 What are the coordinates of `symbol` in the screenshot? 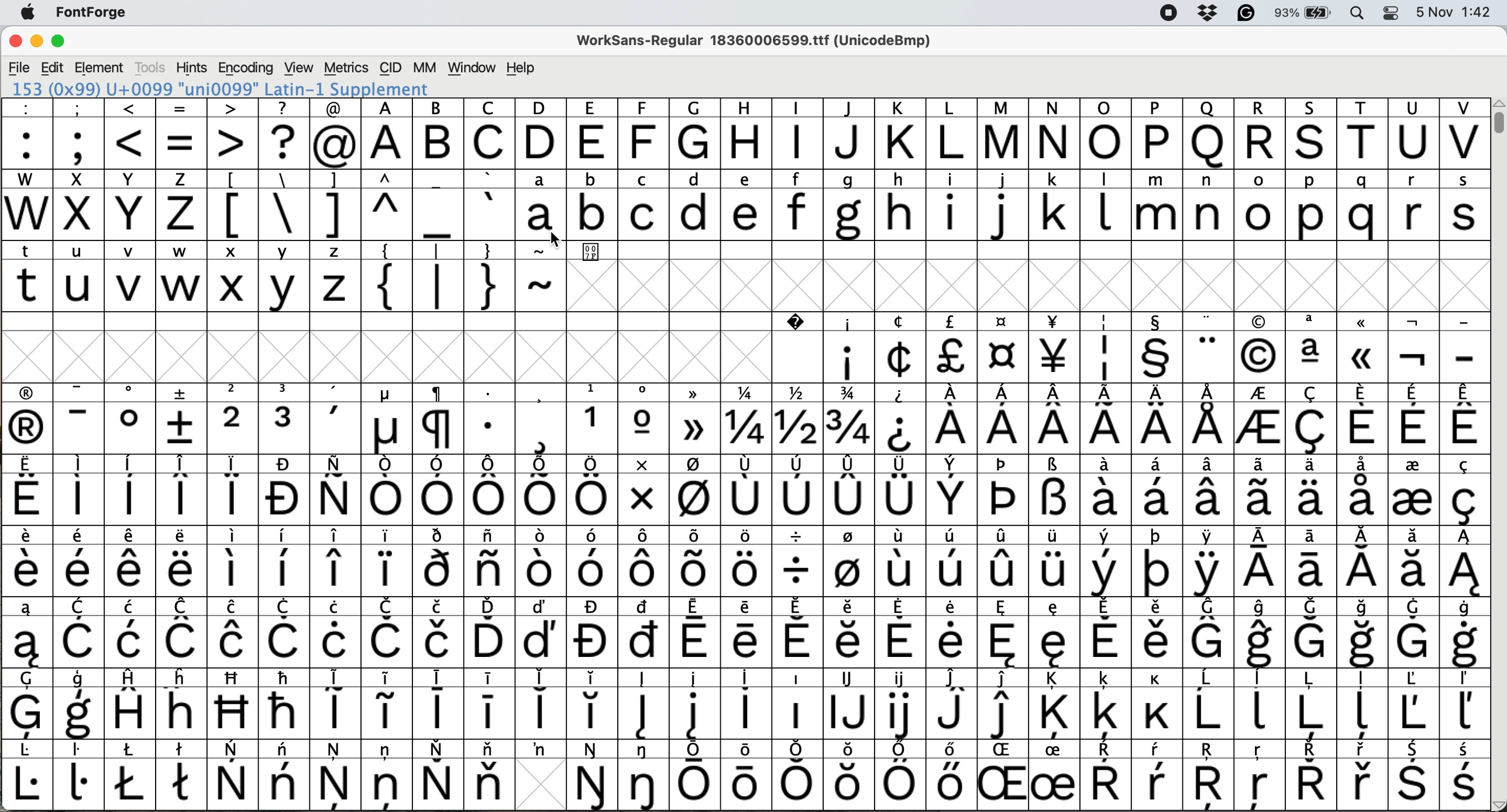 It's located at (694, 421).